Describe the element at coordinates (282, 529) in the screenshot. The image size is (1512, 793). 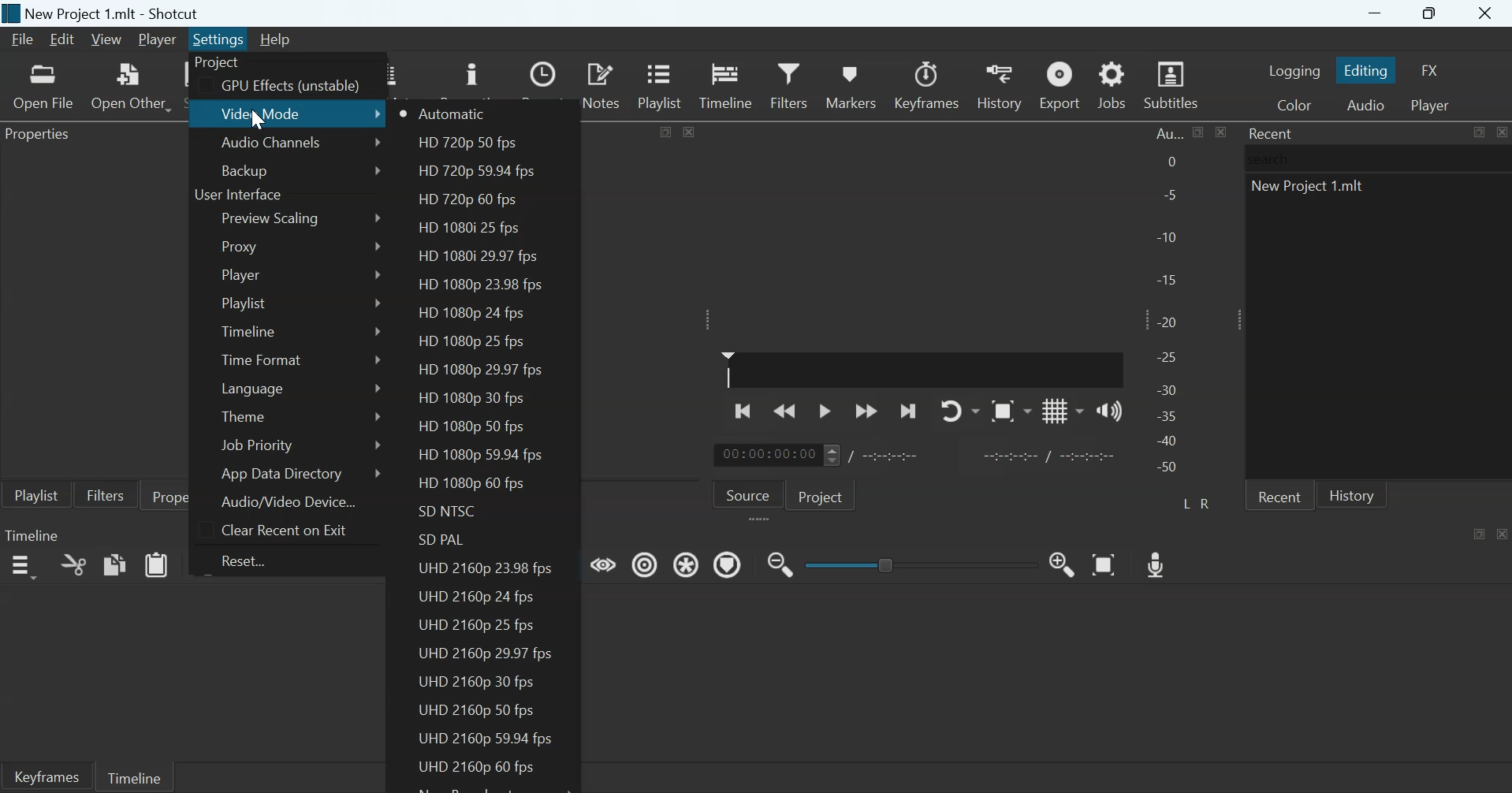
I see `Clear recent on exit` at that location.